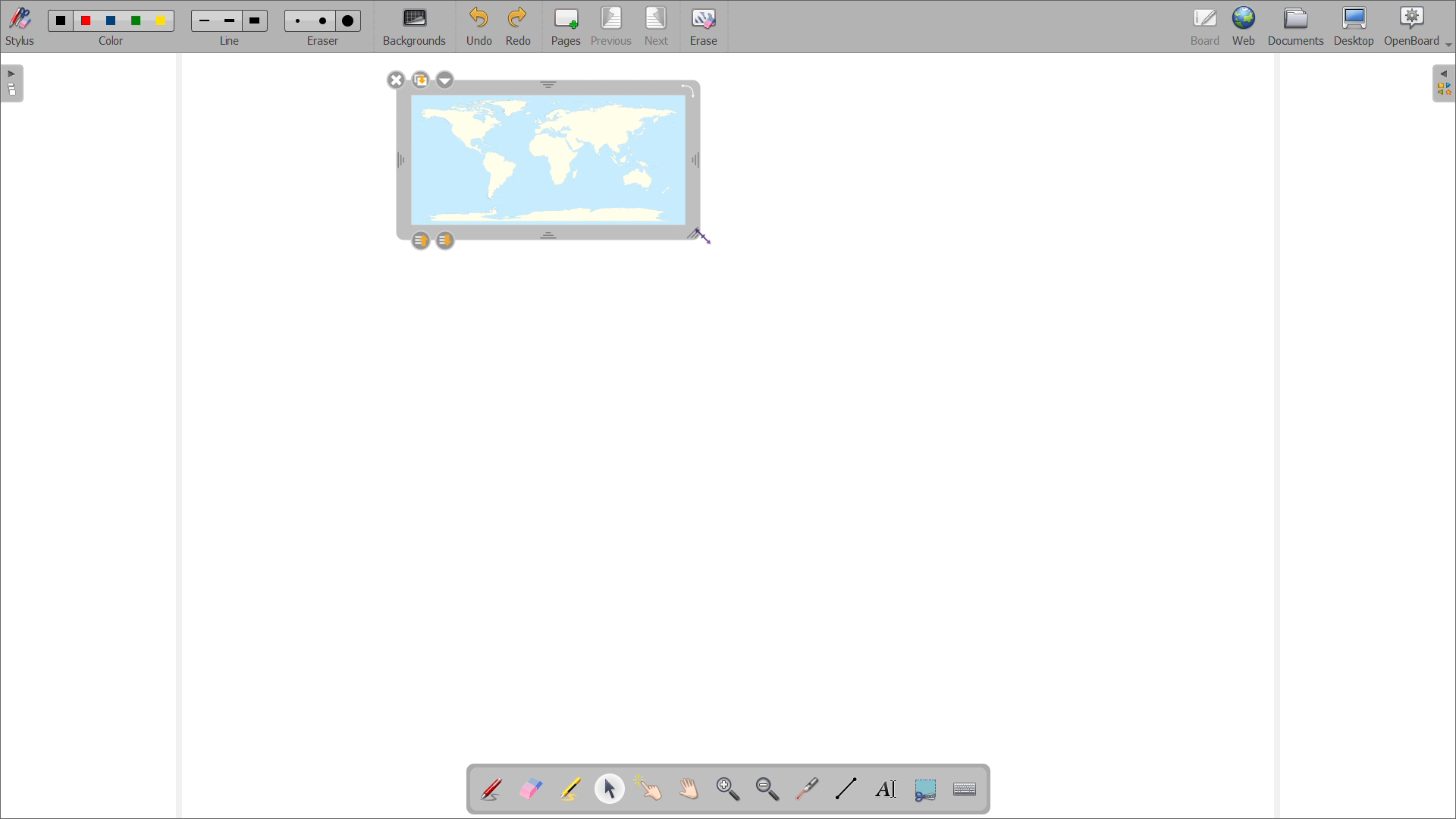 The width and height of the screenshot is (1456, 819). I want to click on large, so click(256, 20).